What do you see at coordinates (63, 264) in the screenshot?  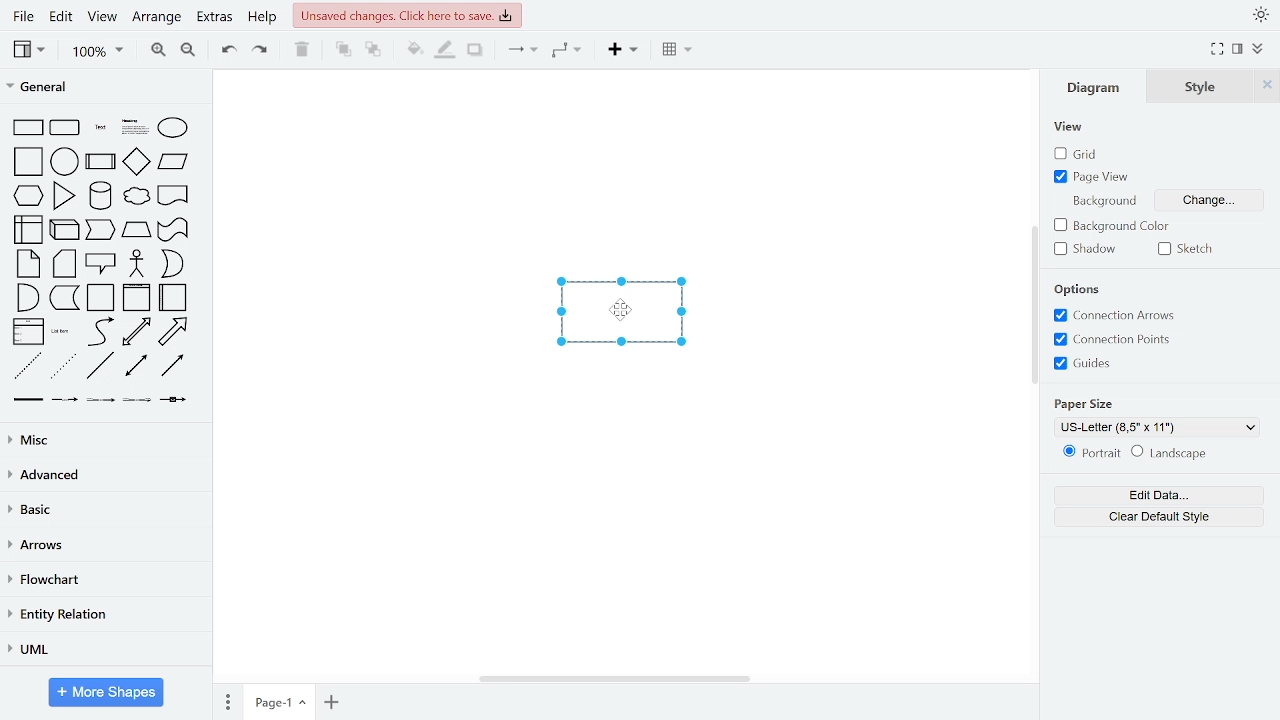 I see `general shapes` at bounding box center [63, 264].